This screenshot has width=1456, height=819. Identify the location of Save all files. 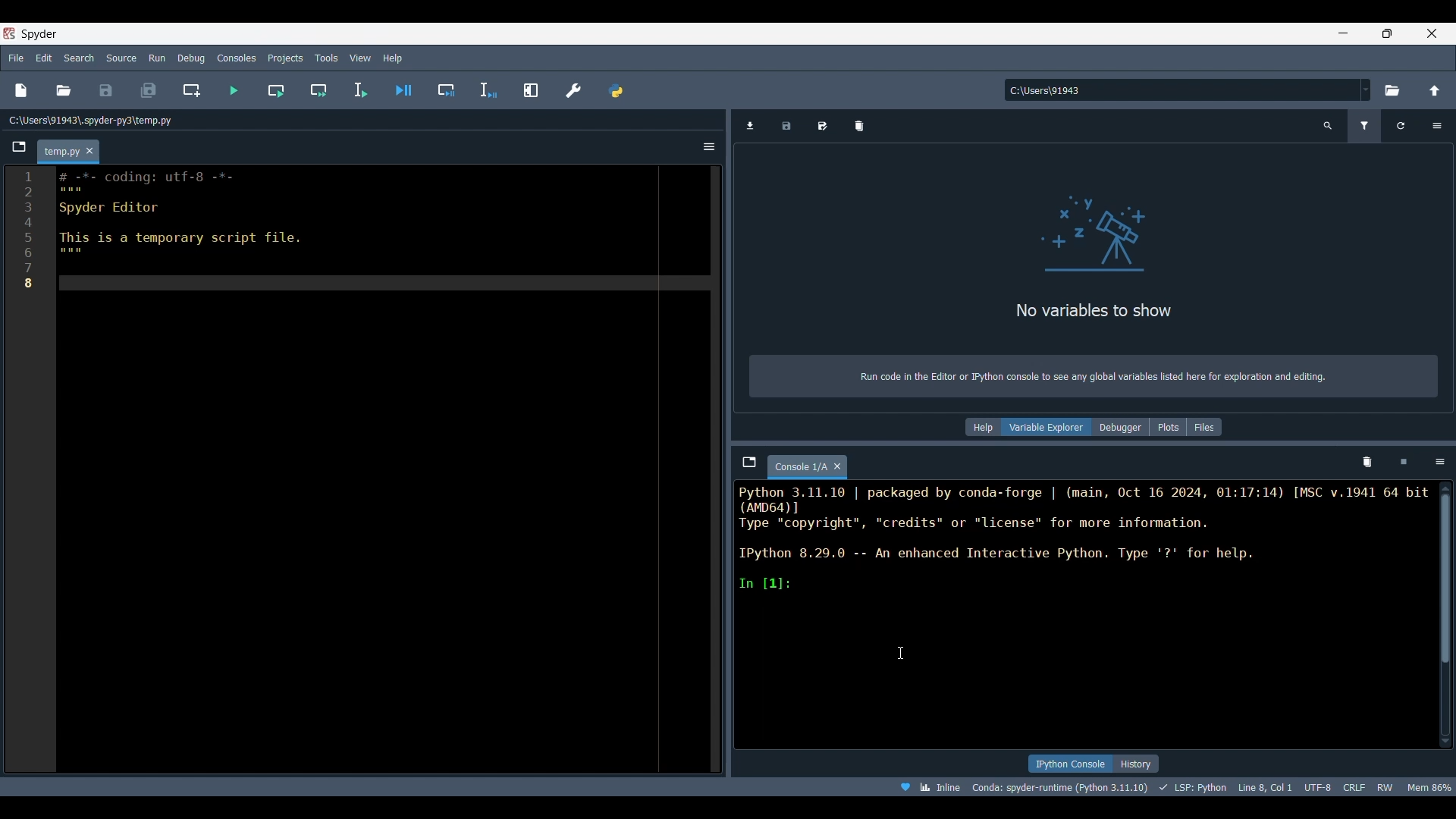
(148, 90).